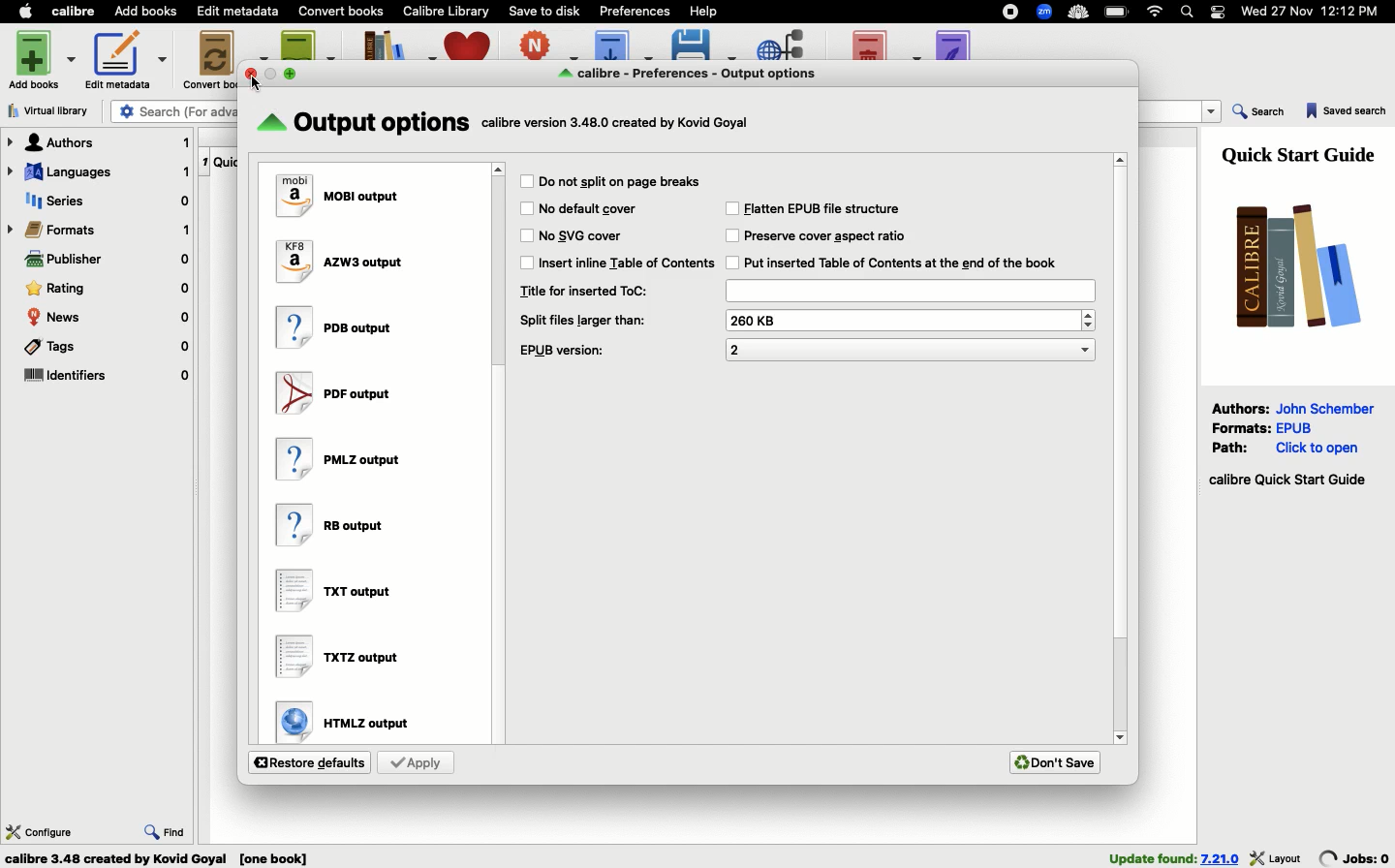  Describe the element at coordinates (1355, 857) in the screenshot. I see `jobs` at that location.